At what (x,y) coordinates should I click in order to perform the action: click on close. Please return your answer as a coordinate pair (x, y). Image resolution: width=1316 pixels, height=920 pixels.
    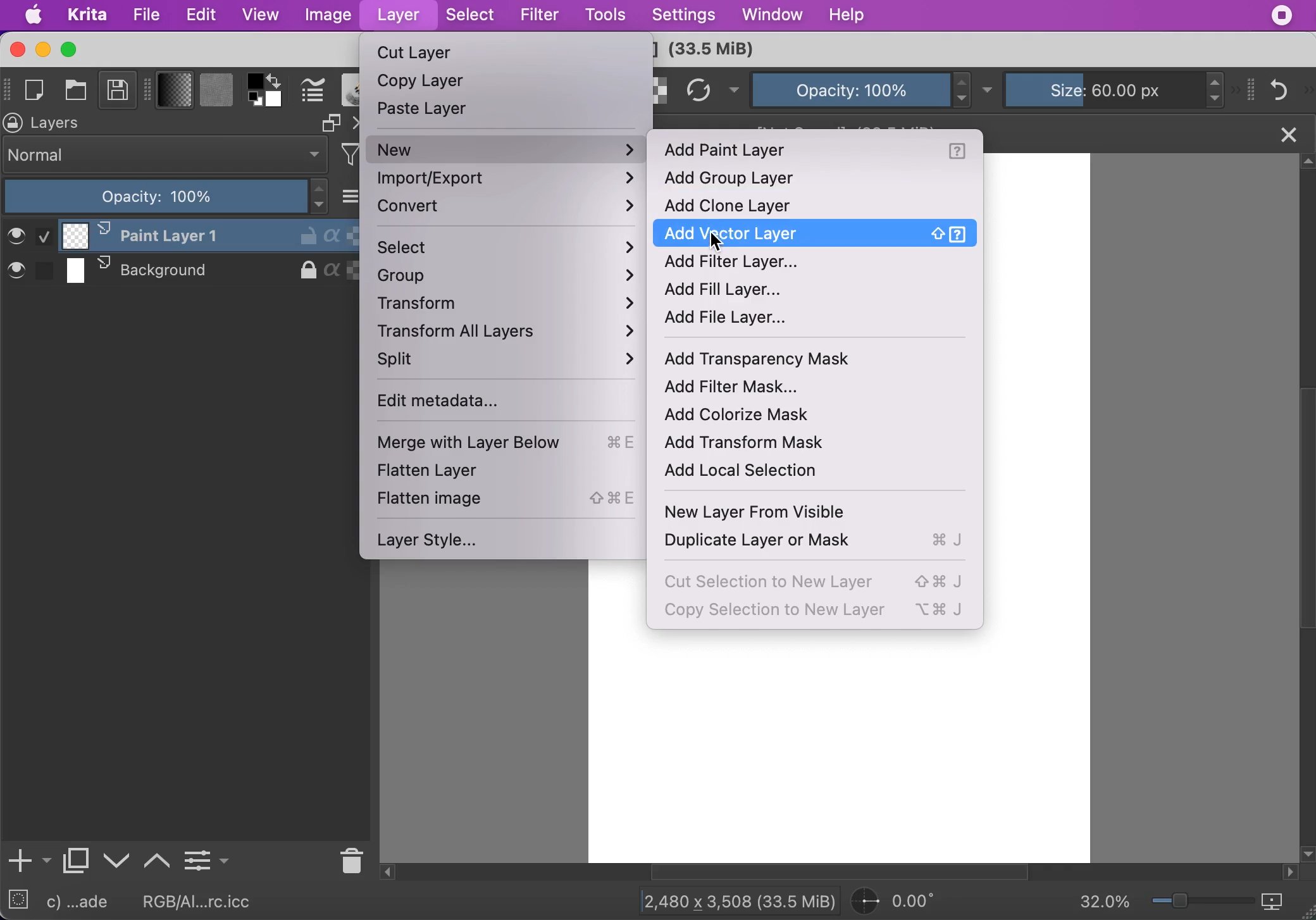
    Looking at the image, I should click on (1287, 133).